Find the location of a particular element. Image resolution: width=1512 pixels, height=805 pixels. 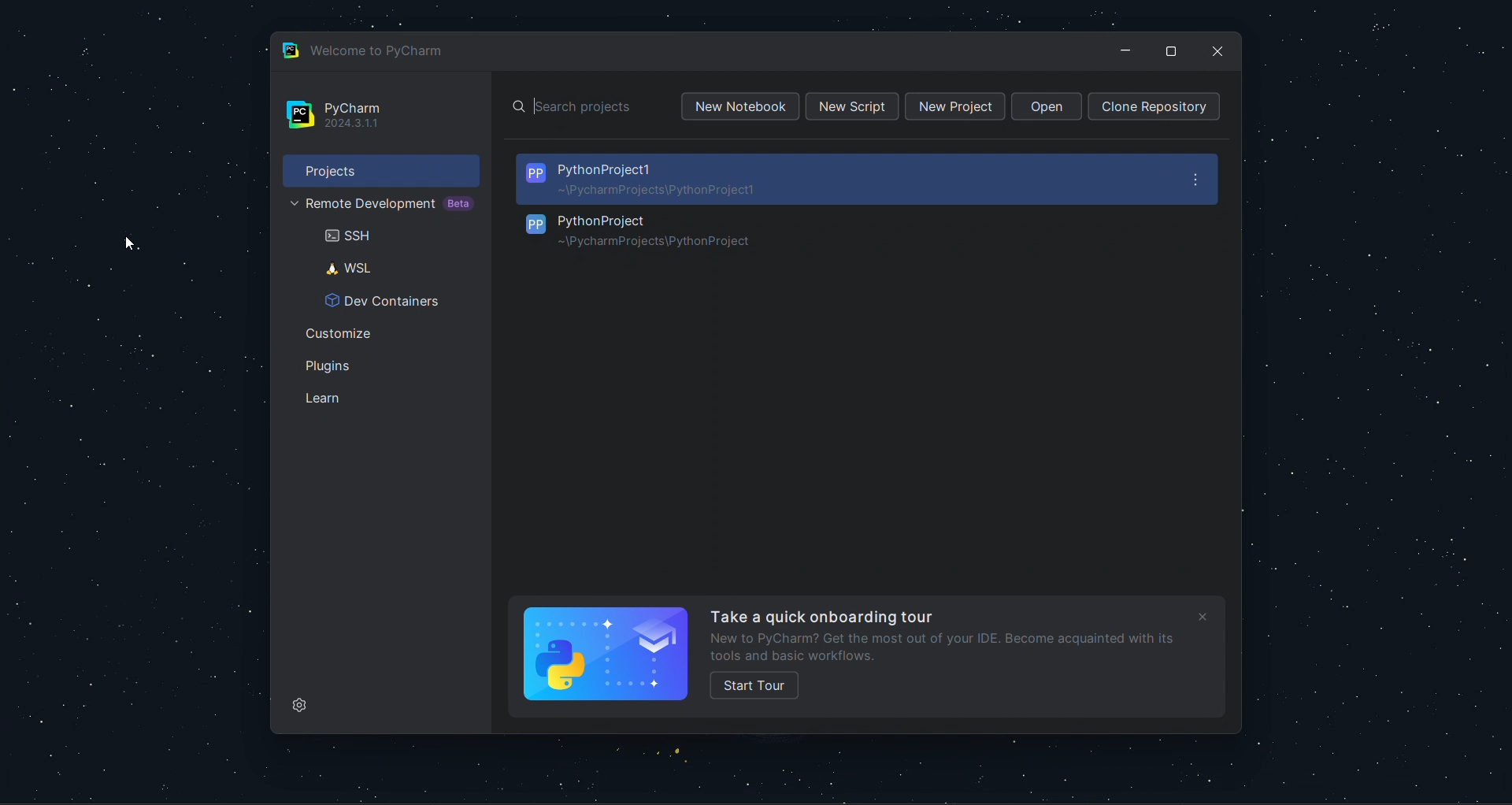

Onboarding Tour Text is located at coordinates (888, 631).